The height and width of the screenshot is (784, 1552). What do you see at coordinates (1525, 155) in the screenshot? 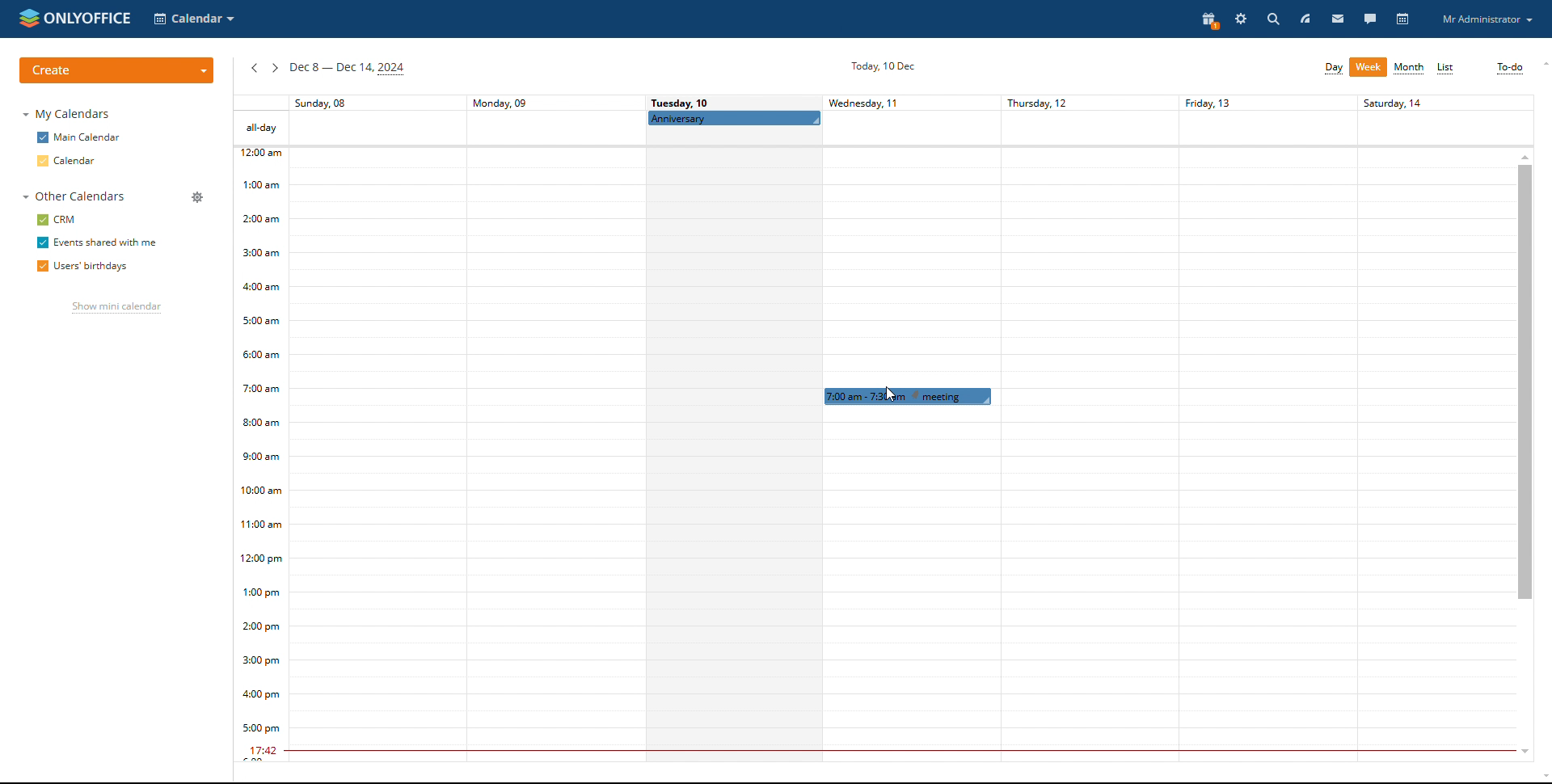
I see `scroll up` at bounding box center [1525, 155].